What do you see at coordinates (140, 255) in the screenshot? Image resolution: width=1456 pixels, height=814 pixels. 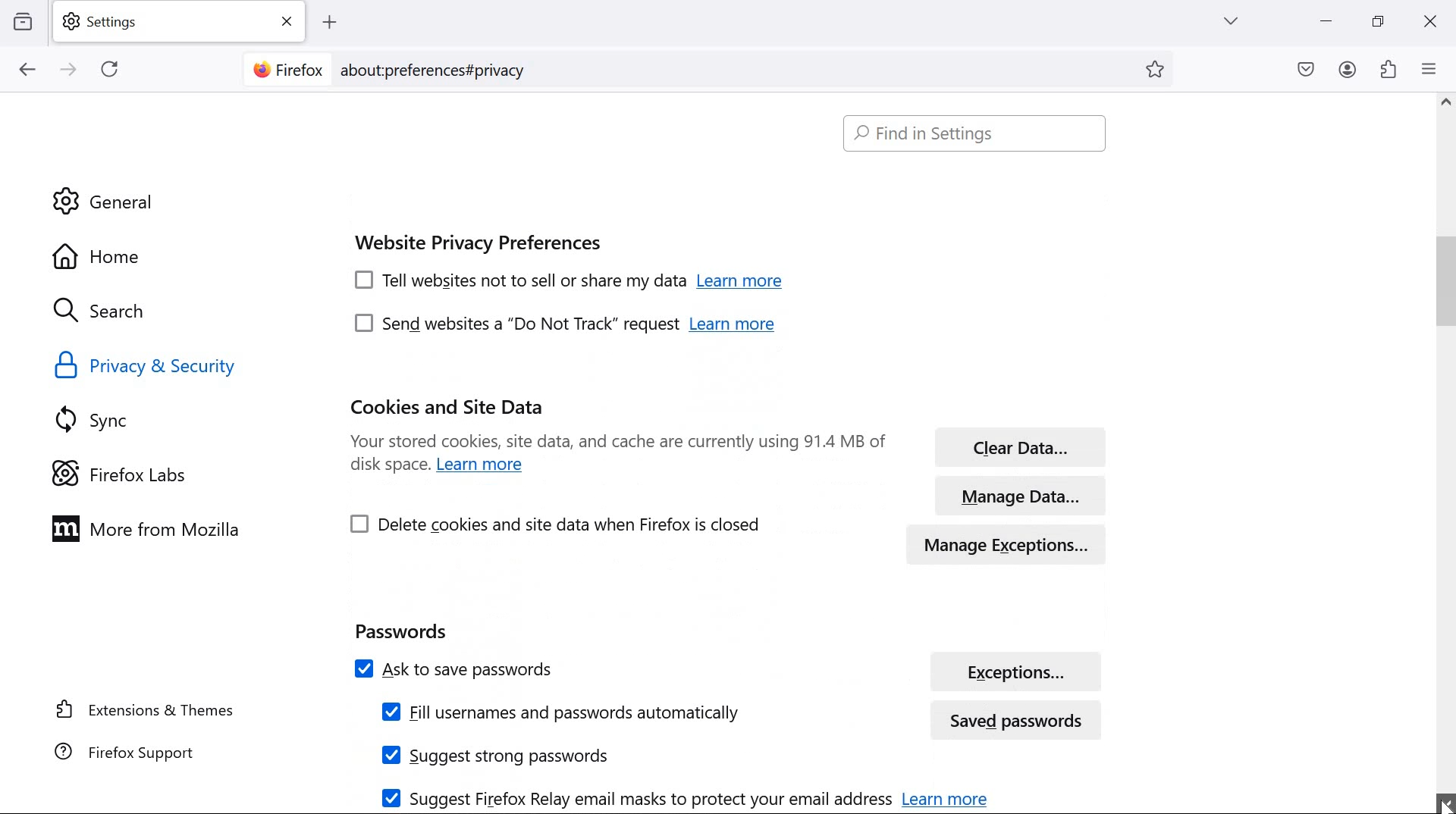 I see `Home` at bounding box center [140, 255].